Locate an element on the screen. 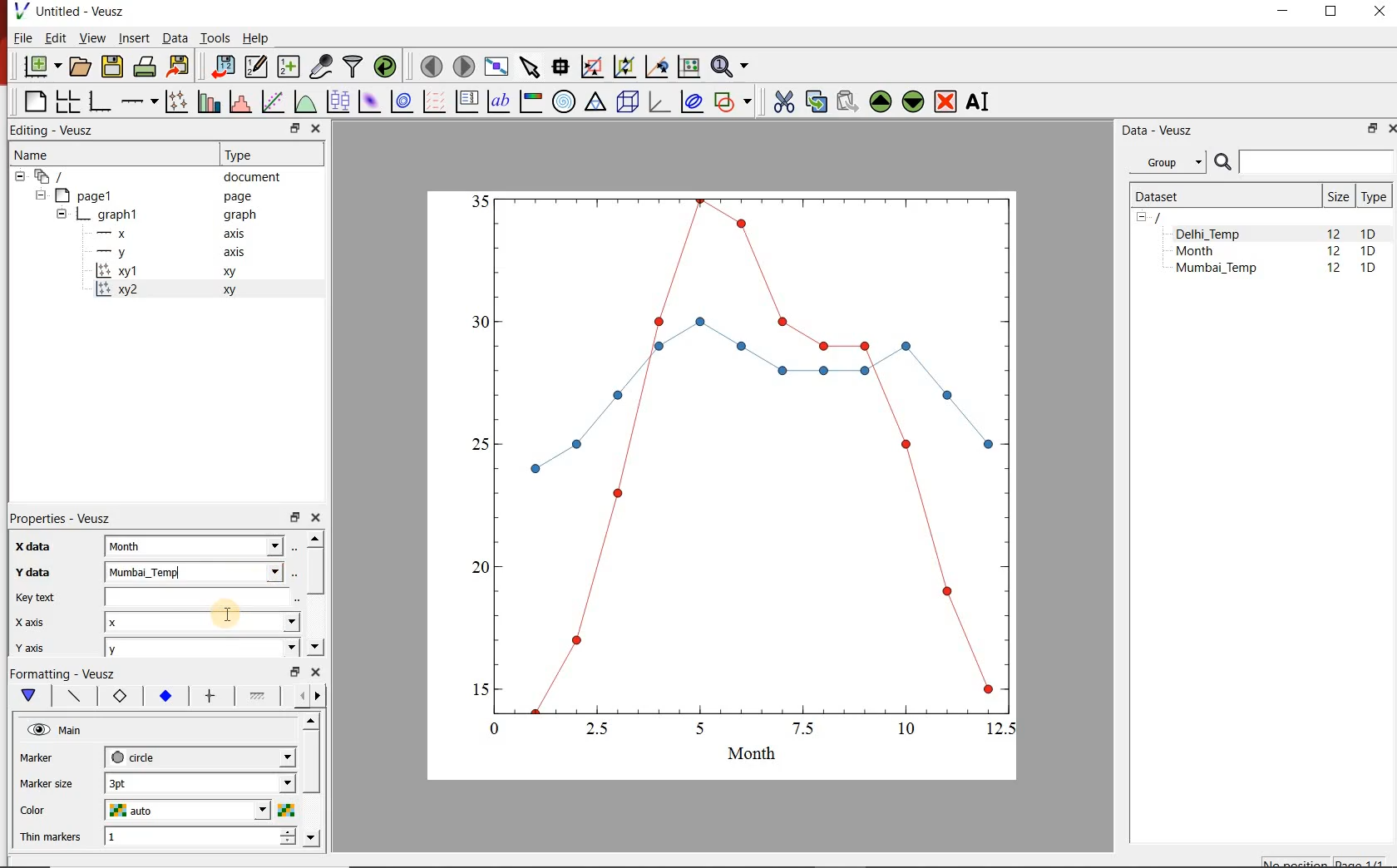  move the selected widget up is located at coordinates (880, 101).